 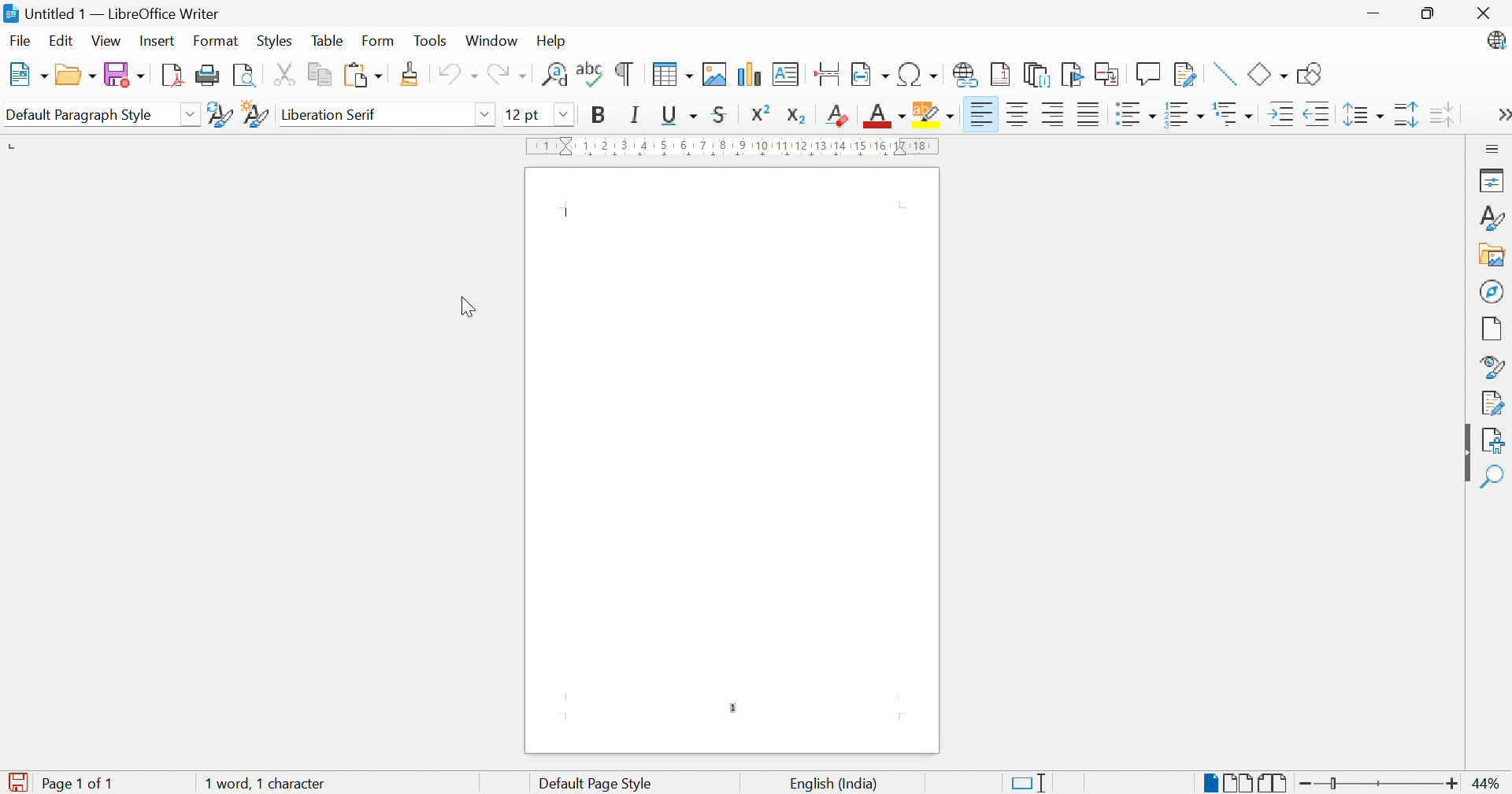 What do you see at coordinates (1134, 114) in the screenshot?
I see `Toggle unordered list` at bounding box center [1134, 114].